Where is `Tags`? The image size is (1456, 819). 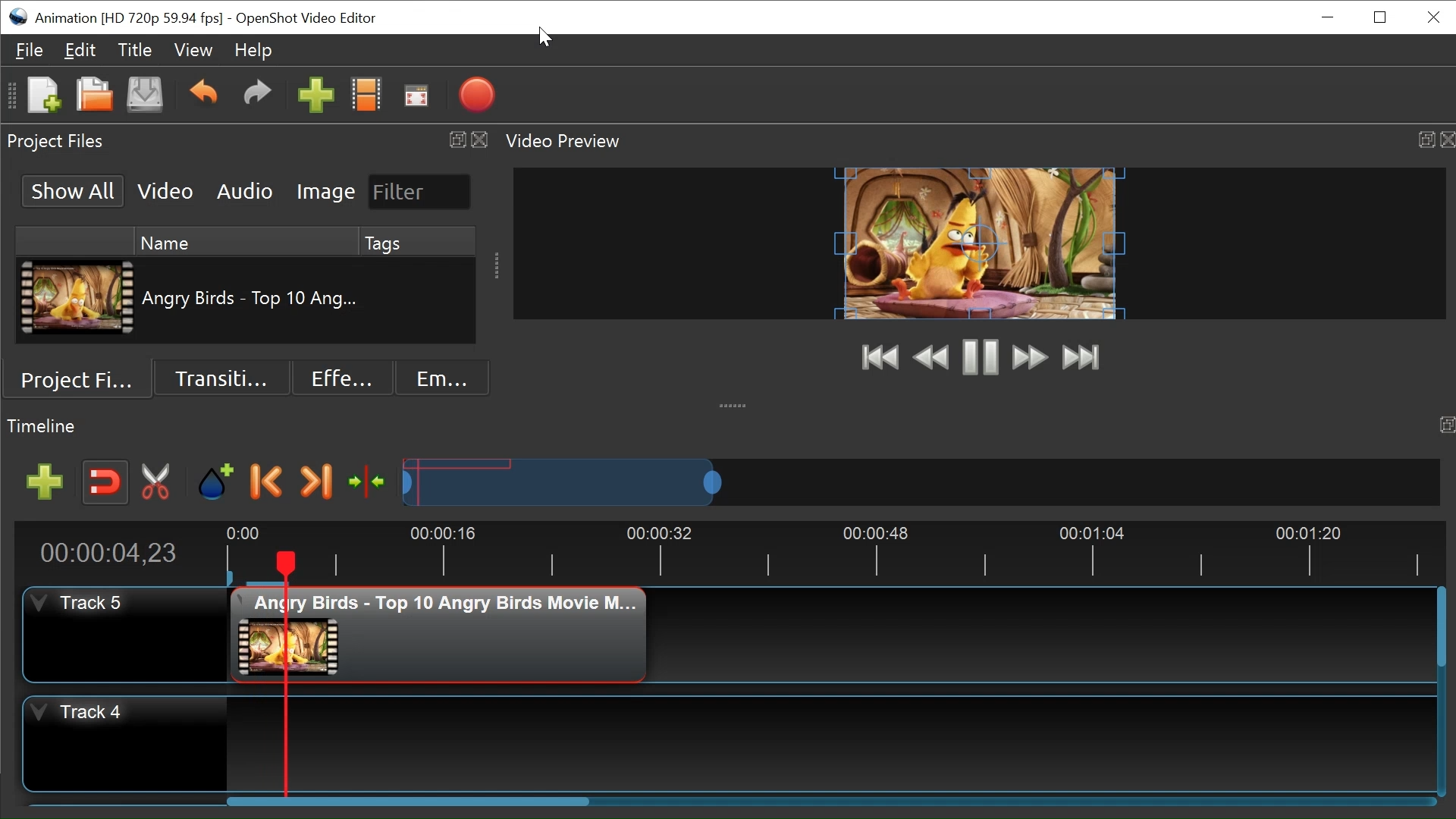
Tags is located at coordinates (418, 241).